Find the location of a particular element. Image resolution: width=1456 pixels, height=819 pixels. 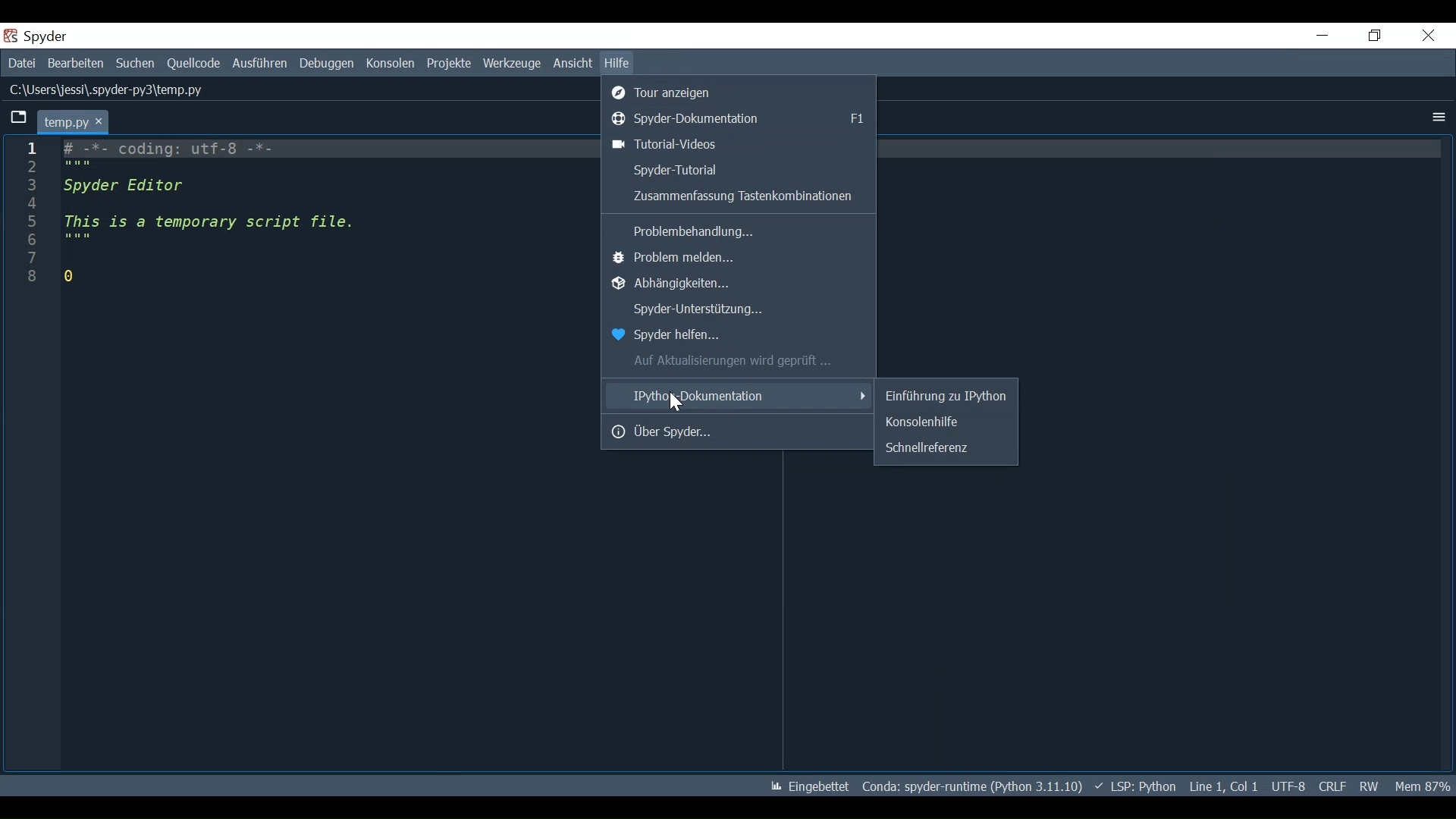

Spyder Desktop Icon is located at coordinates (12, 36).